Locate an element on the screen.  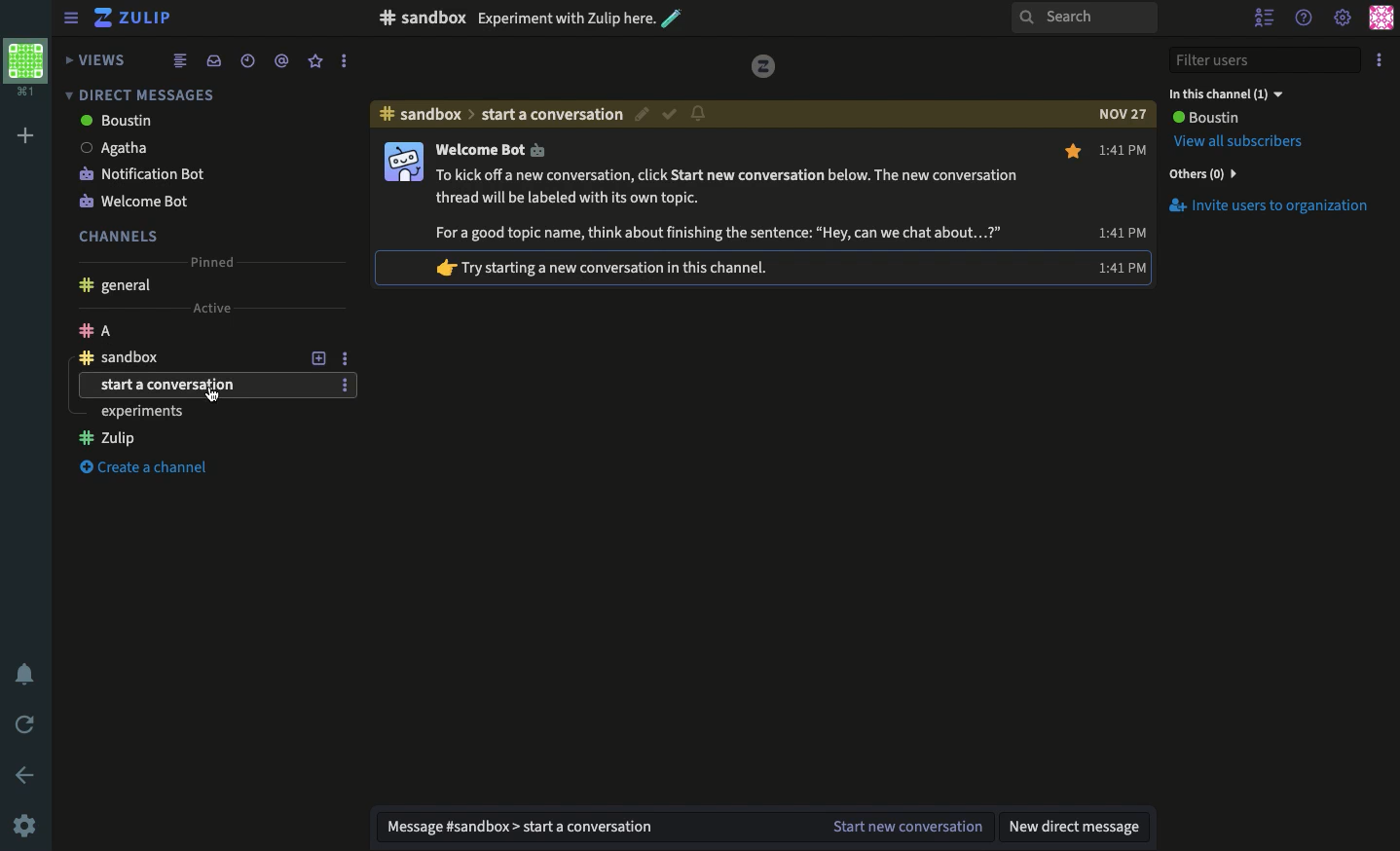
Hide users list is located at coordinates (1267, 19).